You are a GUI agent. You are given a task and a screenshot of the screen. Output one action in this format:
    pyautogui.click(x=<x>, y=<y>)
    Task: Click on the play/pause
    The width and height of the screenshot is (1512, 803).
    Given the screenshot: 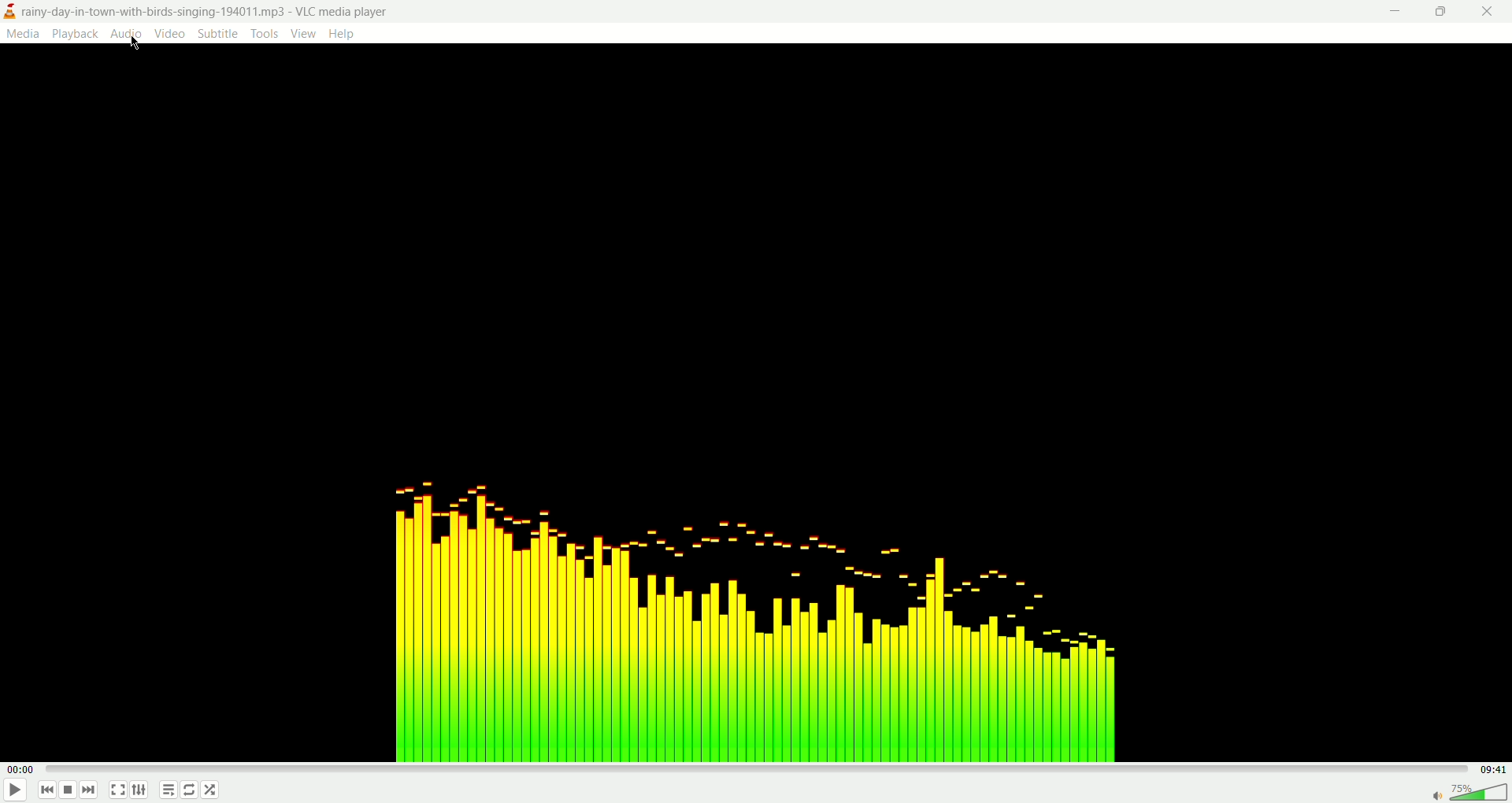 What is the action you would take?
    pyautogui.click(x=15, y=791)
    